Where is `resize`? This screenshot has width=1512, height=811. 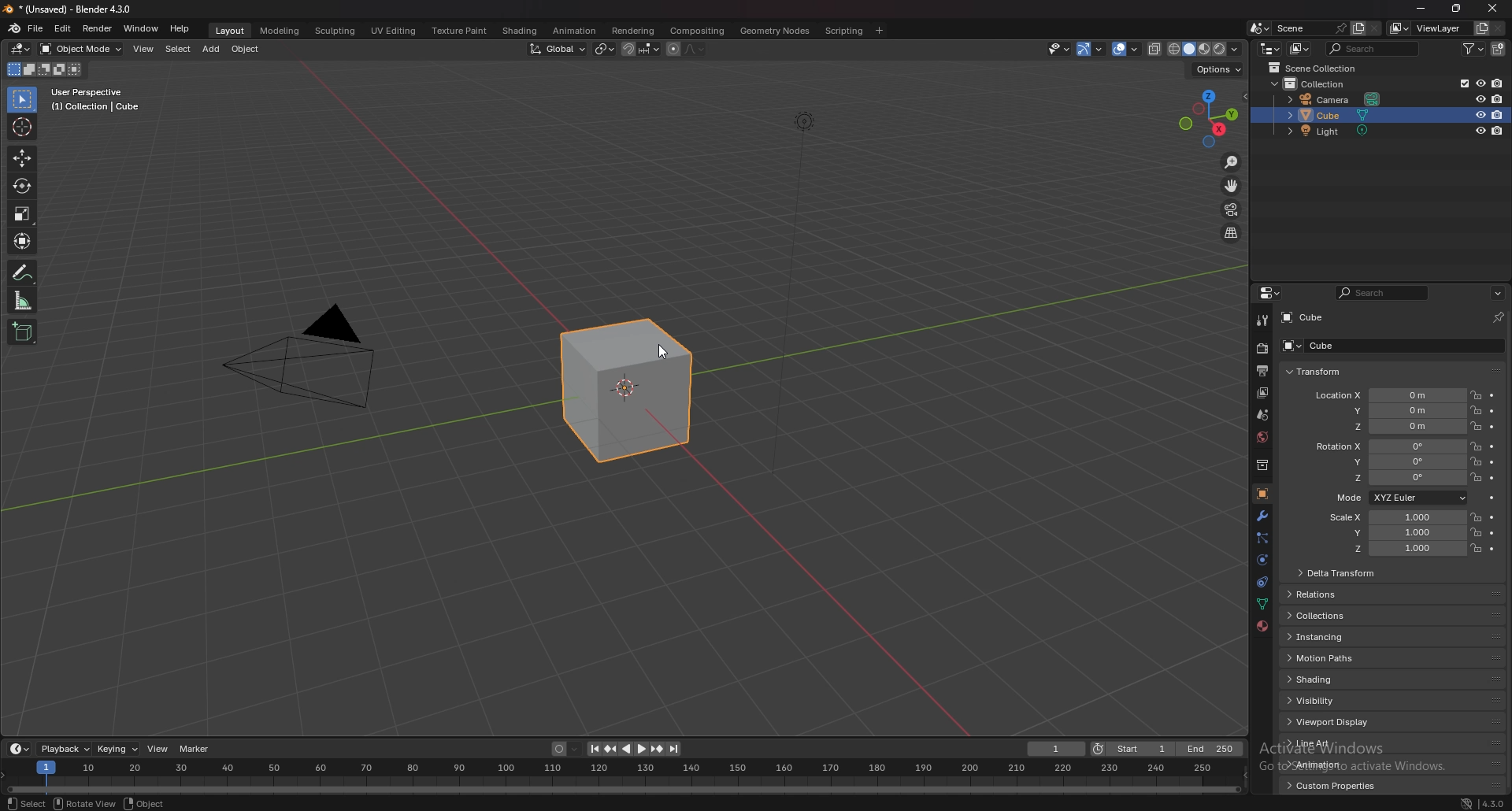
resize is located at coordinates (1457, 9).